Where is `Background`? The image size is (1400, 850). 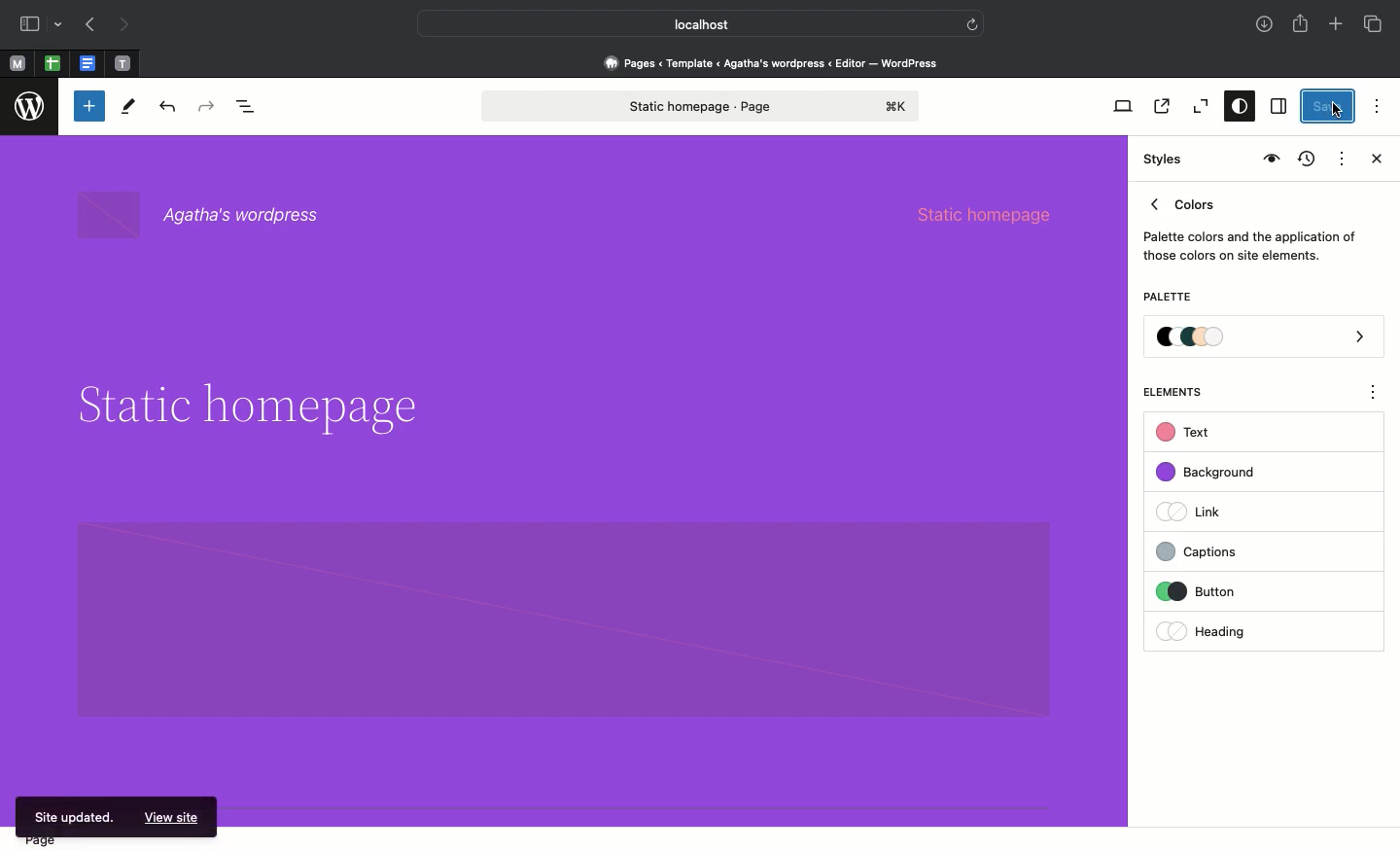 Background is located at coordinates (1215, 473).